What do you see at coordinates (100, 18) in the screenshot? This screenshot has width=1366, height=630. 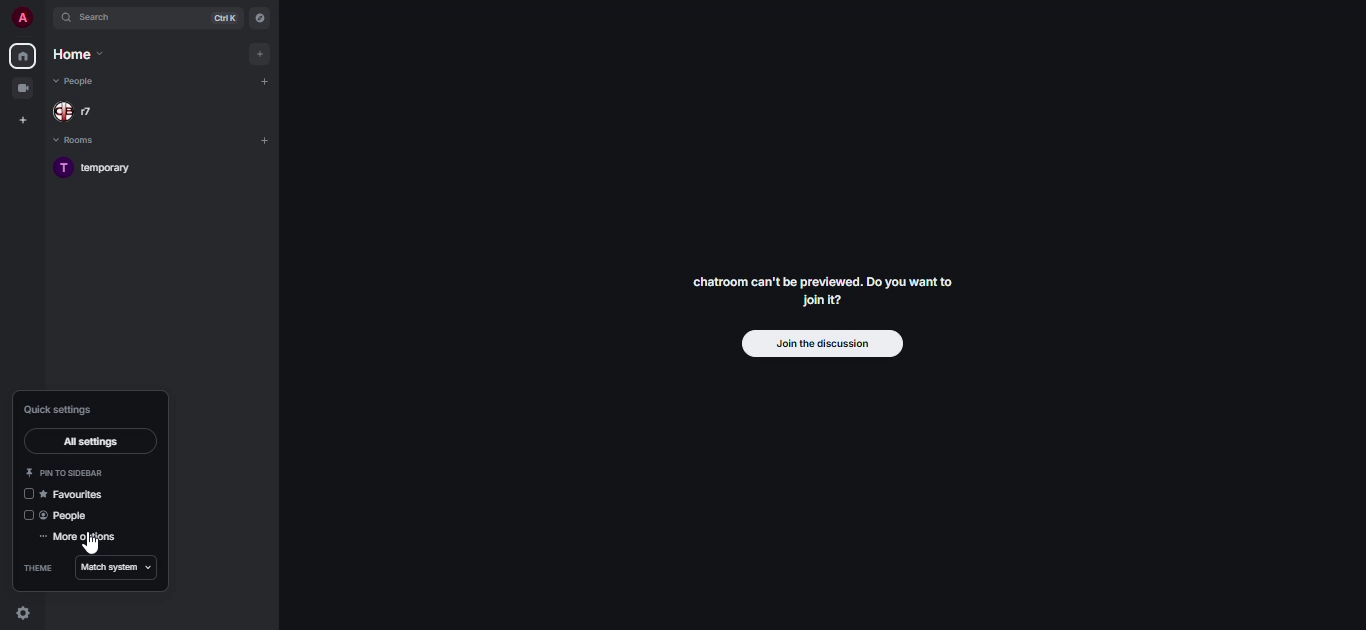 I see `search` at bounding box center [100, 18].